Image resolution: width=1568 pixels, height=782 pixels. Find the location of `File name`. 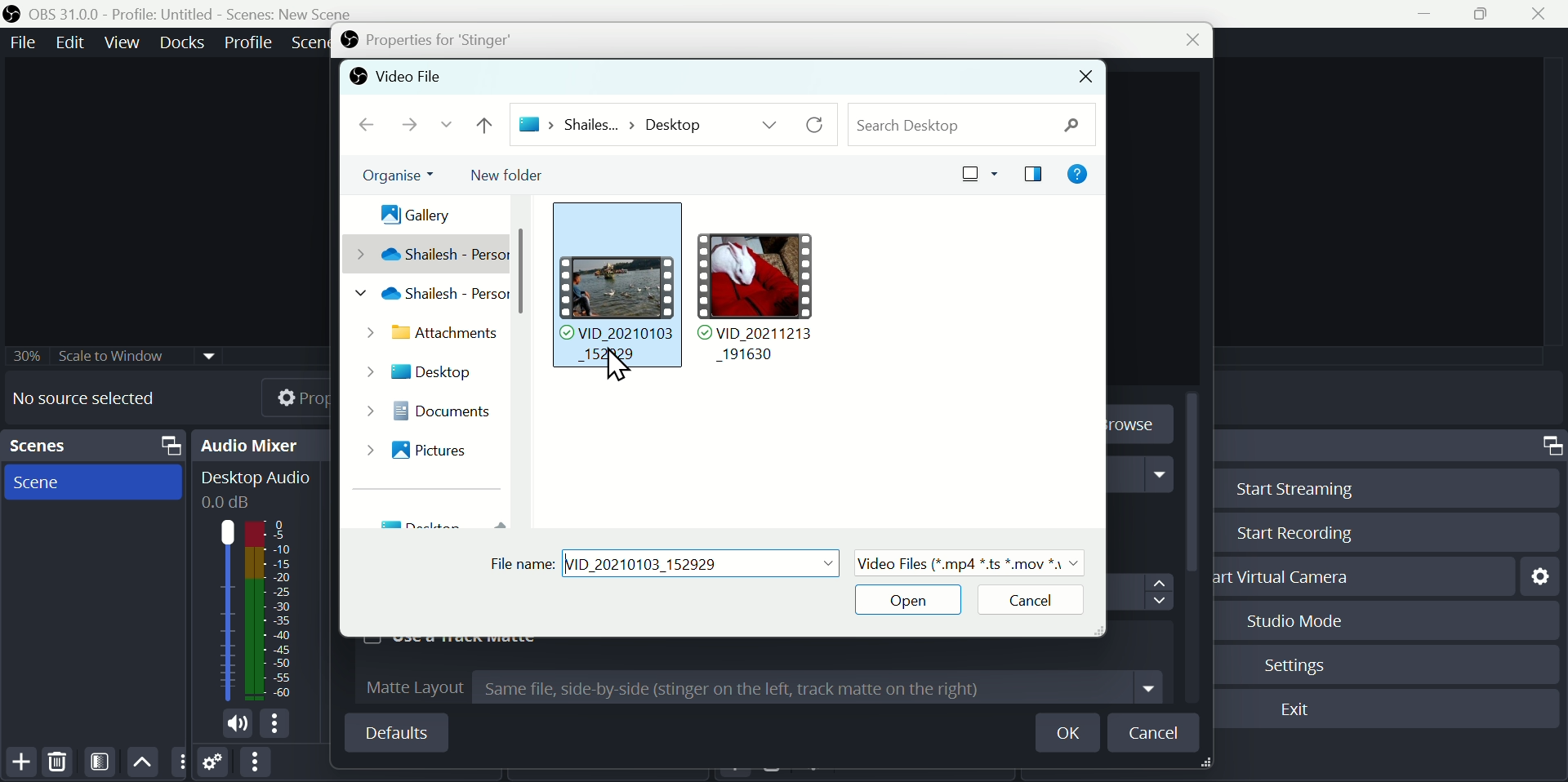

File name is located at coordinates (665, 562).